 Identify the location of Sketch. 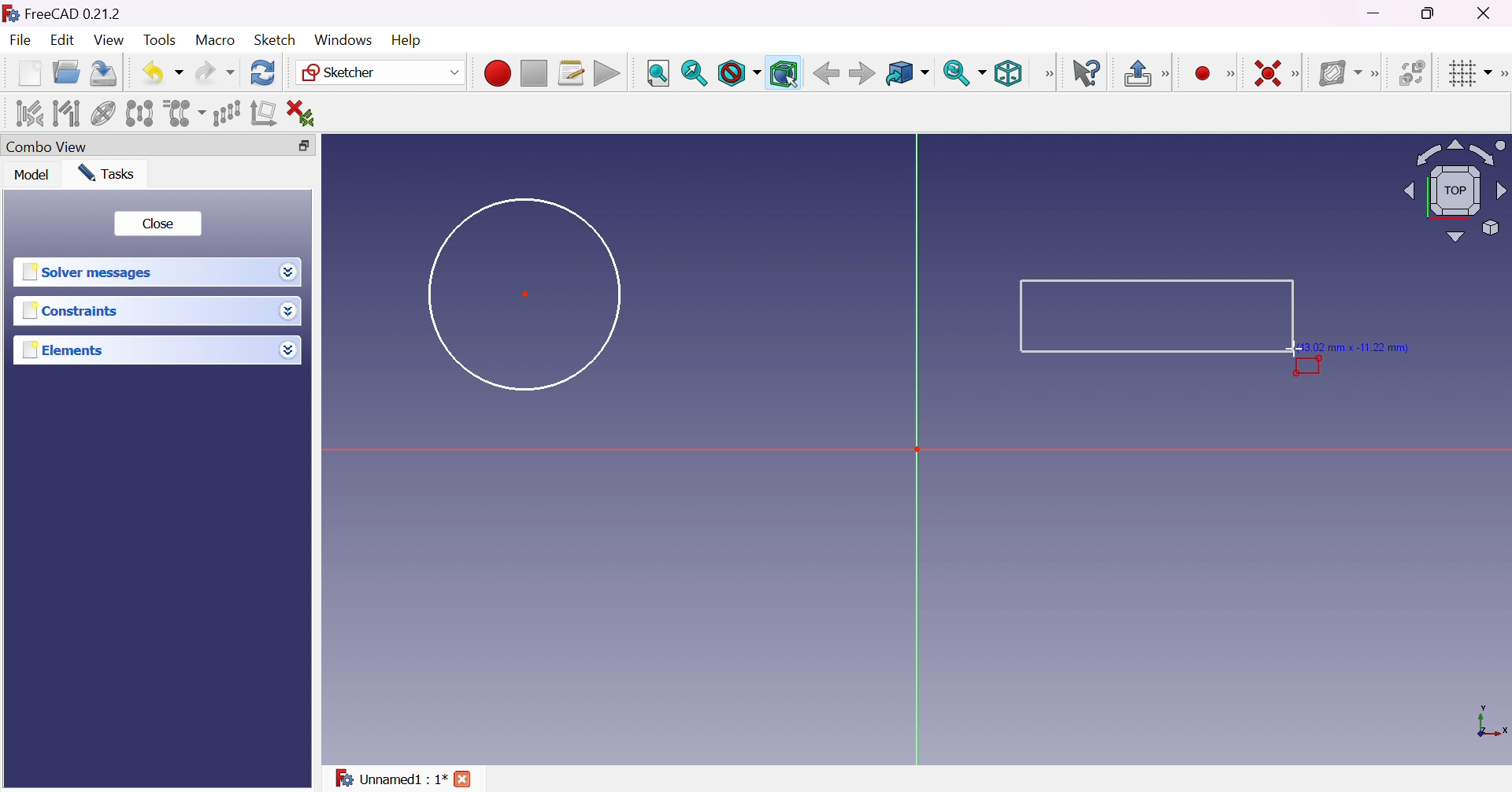
(274, 39).